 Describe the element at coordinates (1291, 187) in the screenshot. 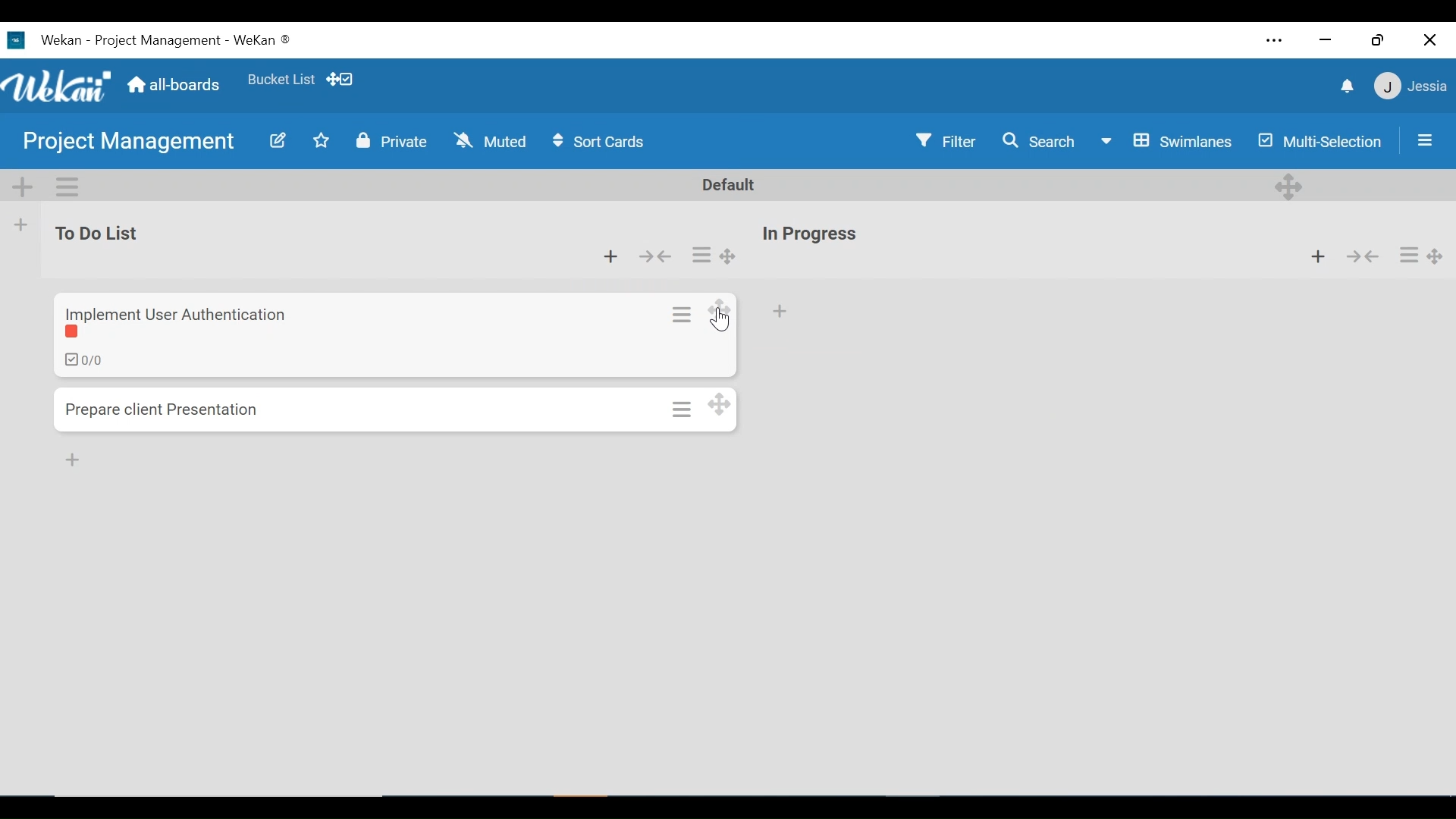

I see `Desktop drag handle` at that location.